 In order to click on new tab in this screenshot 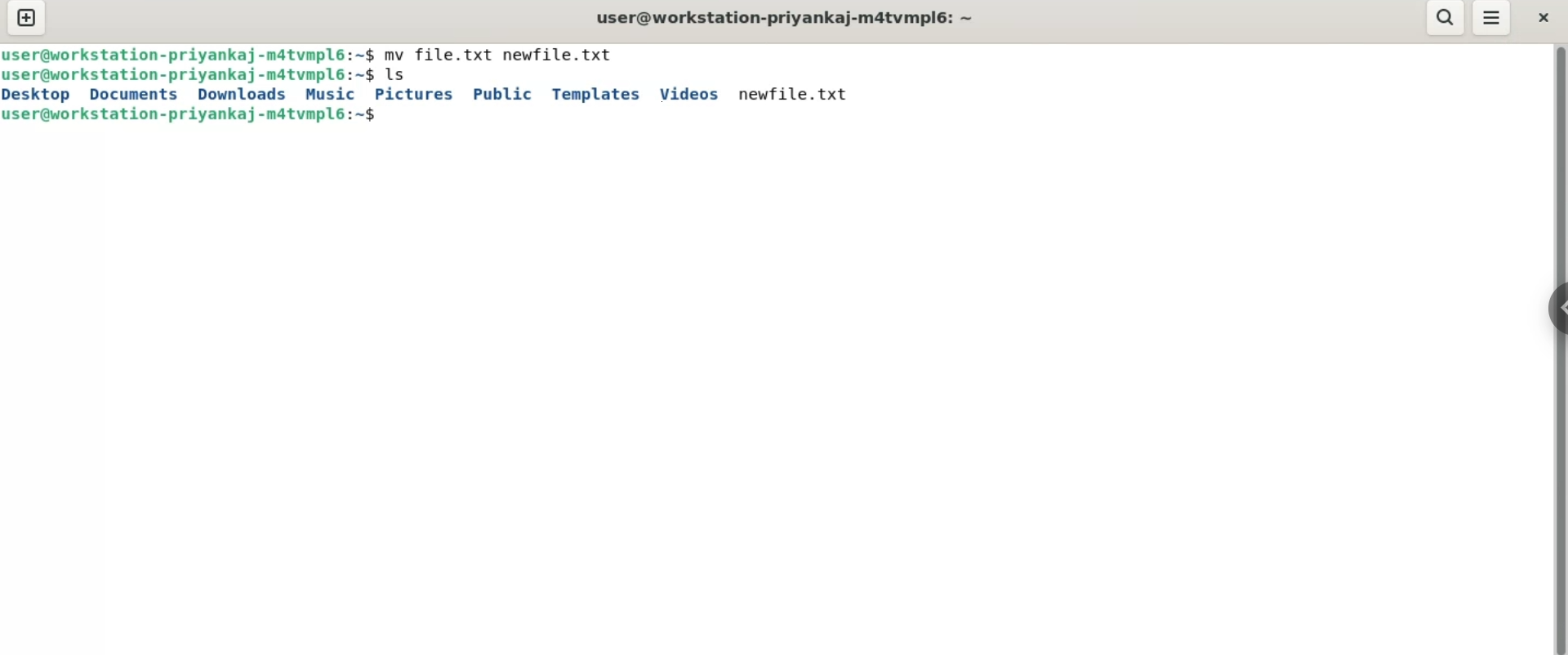, I will do `click(25, 20)`.